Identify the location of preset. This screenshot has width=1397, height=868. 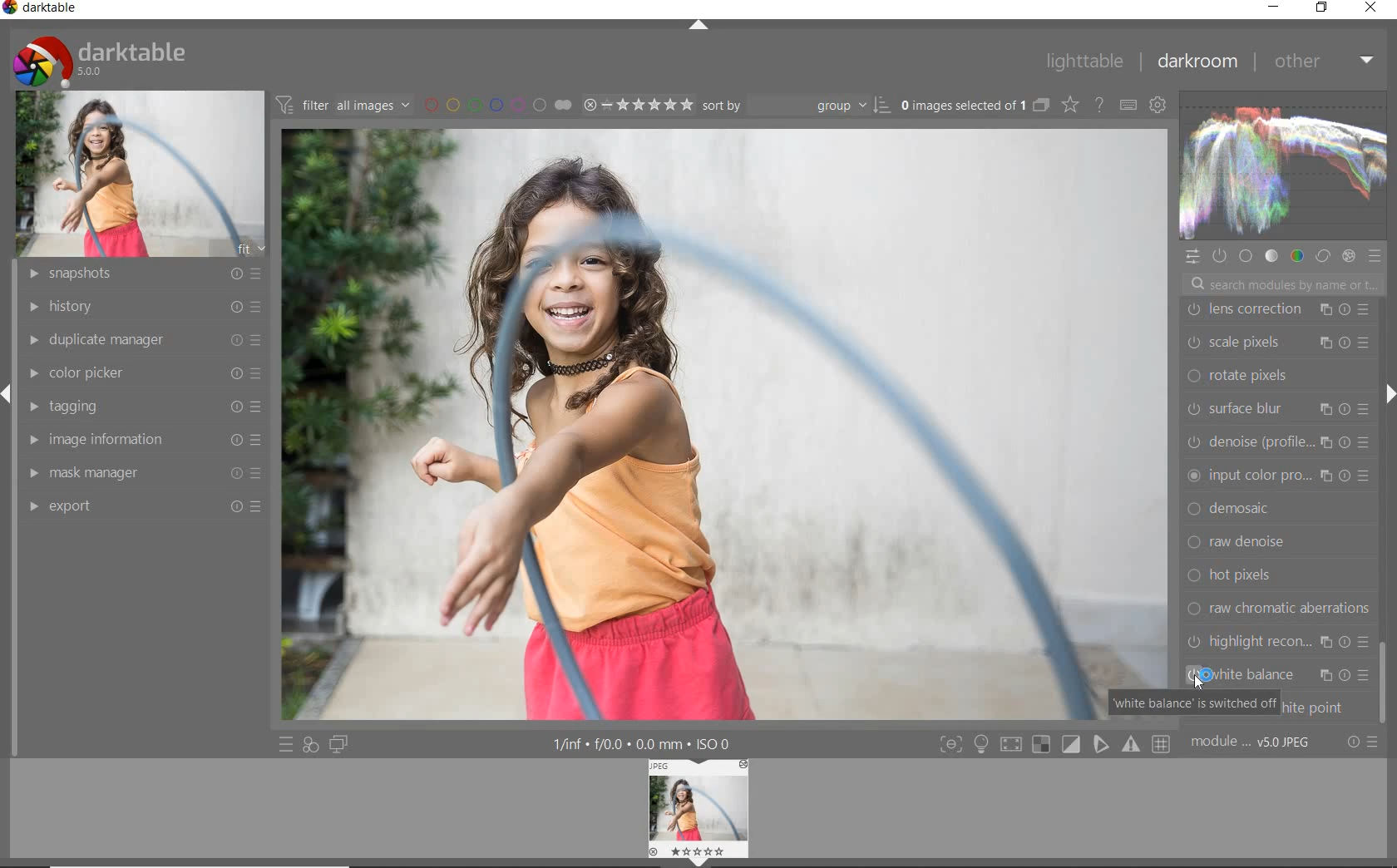
(1377, 259).